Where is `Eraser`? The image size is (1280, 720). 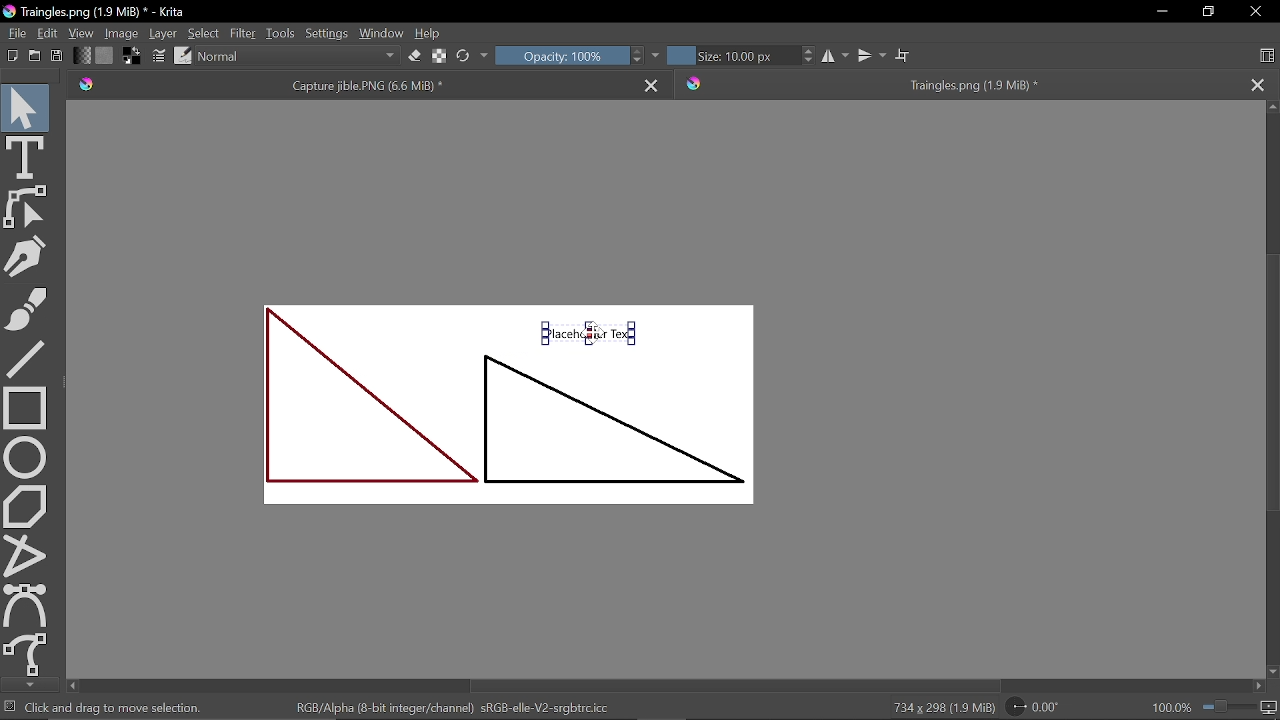 Eraser is located at coordinates (413, 56).